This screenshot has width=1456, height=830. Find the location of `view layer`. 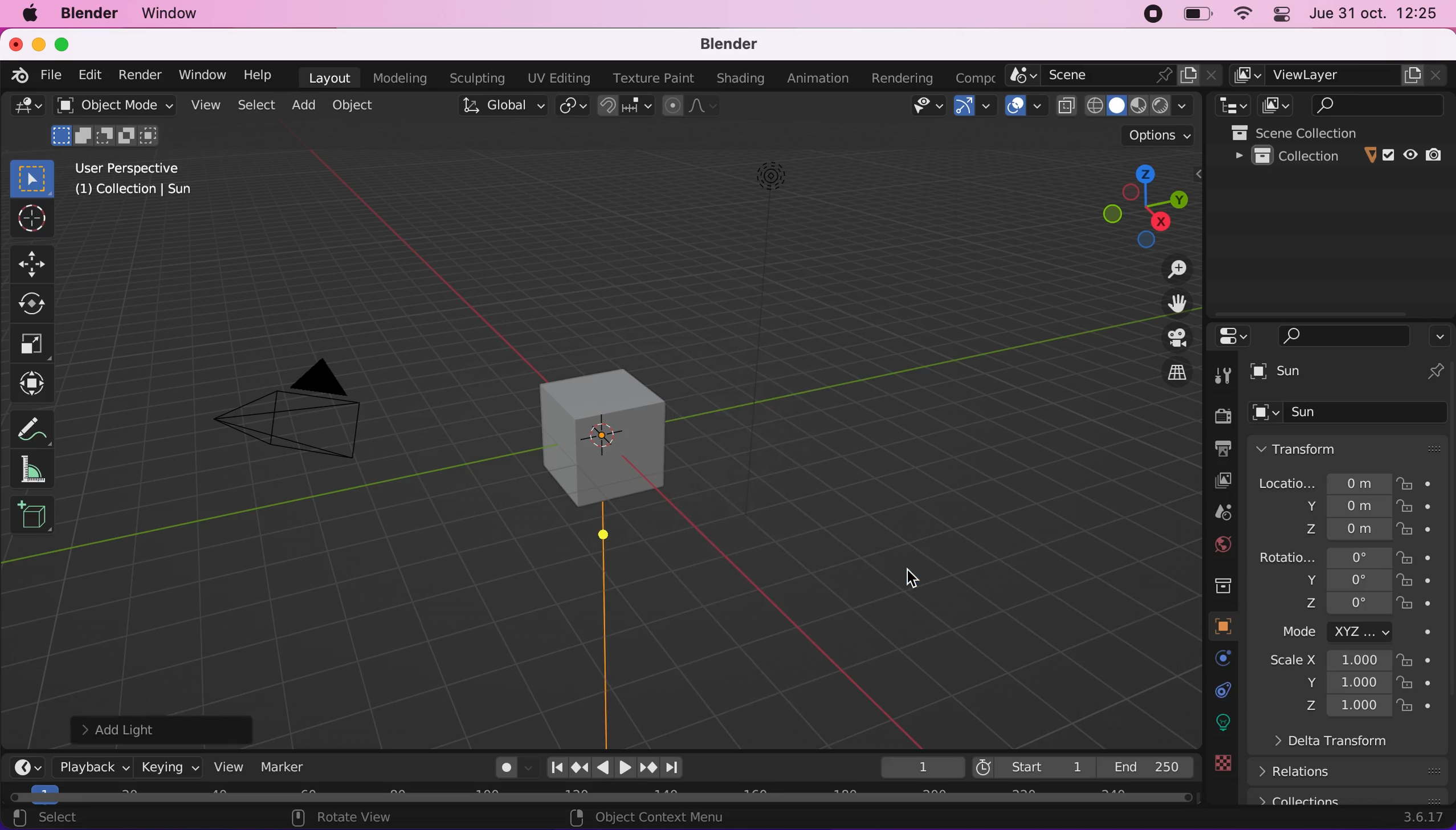

view layer is located at coordinates (1340, 76).